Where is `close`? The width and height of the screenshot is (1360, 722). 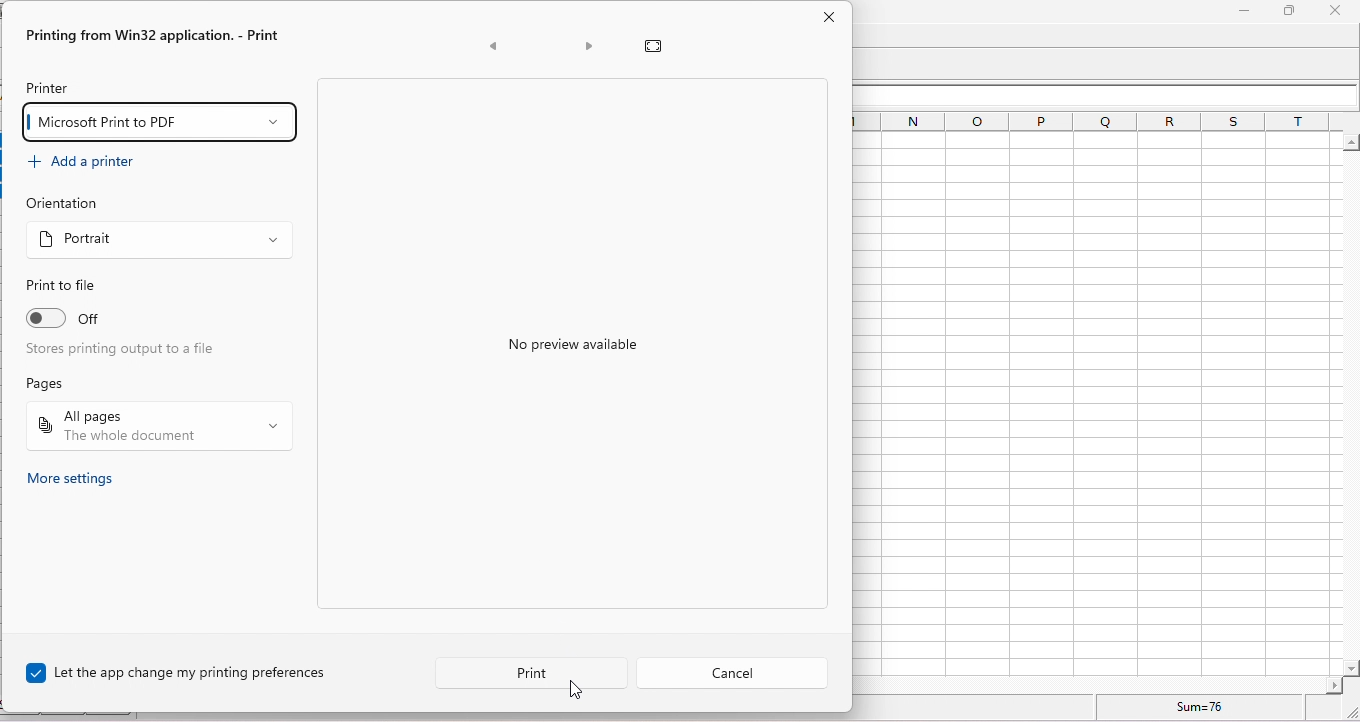
close is located at coordinates (1334, 11).